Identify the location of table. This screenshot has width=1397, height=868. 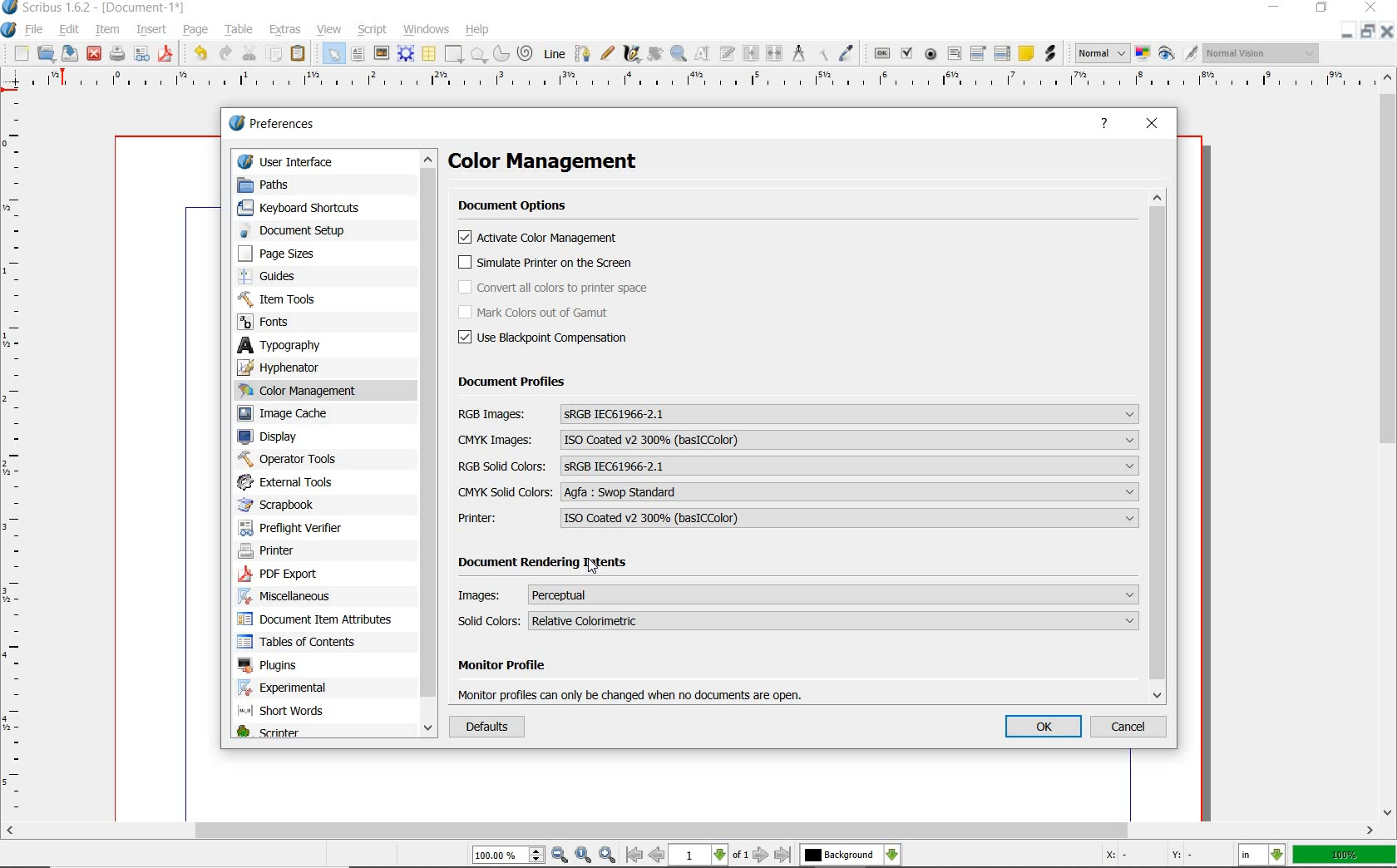
(429, 55).